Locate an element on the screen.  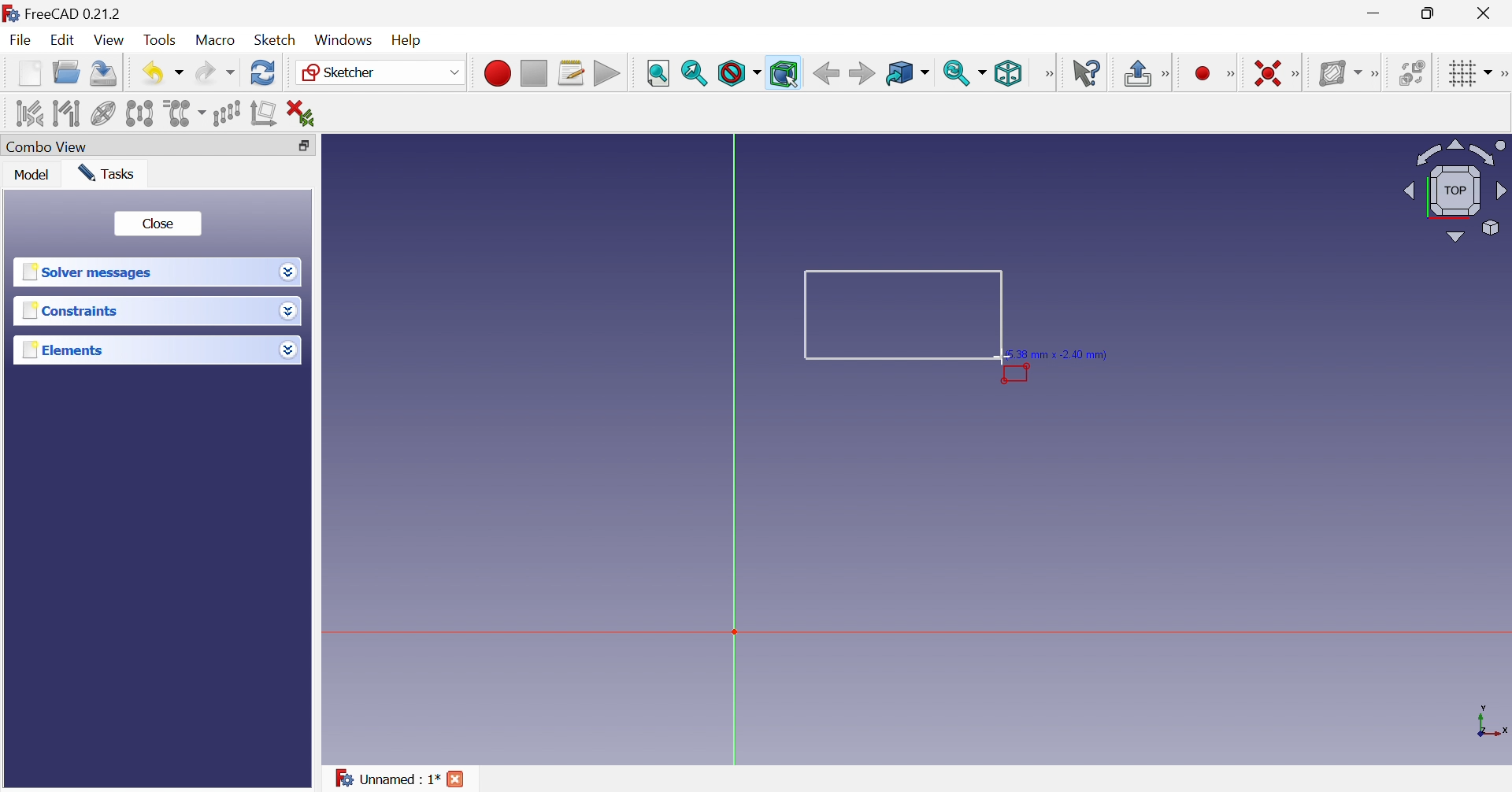
Save is located at coordinates (105, 74).